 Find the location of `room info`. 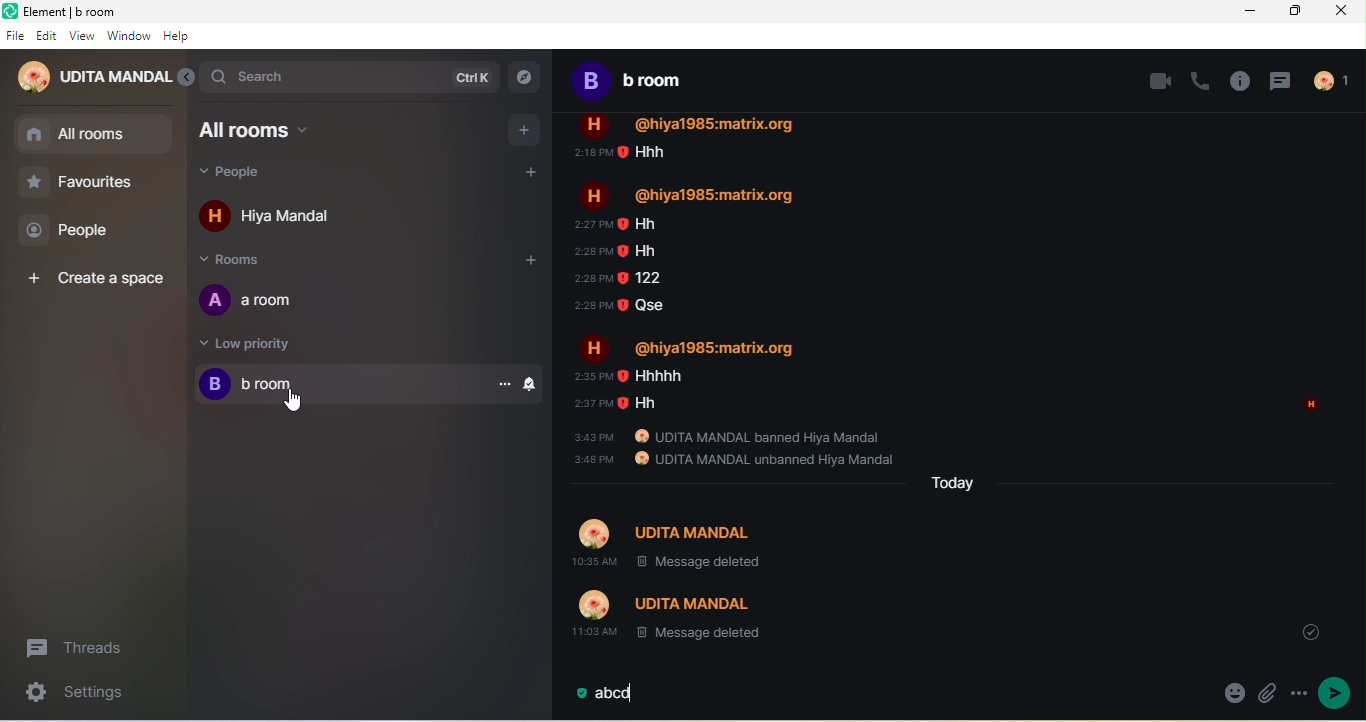

room info is located at coordinates (1240, 81).